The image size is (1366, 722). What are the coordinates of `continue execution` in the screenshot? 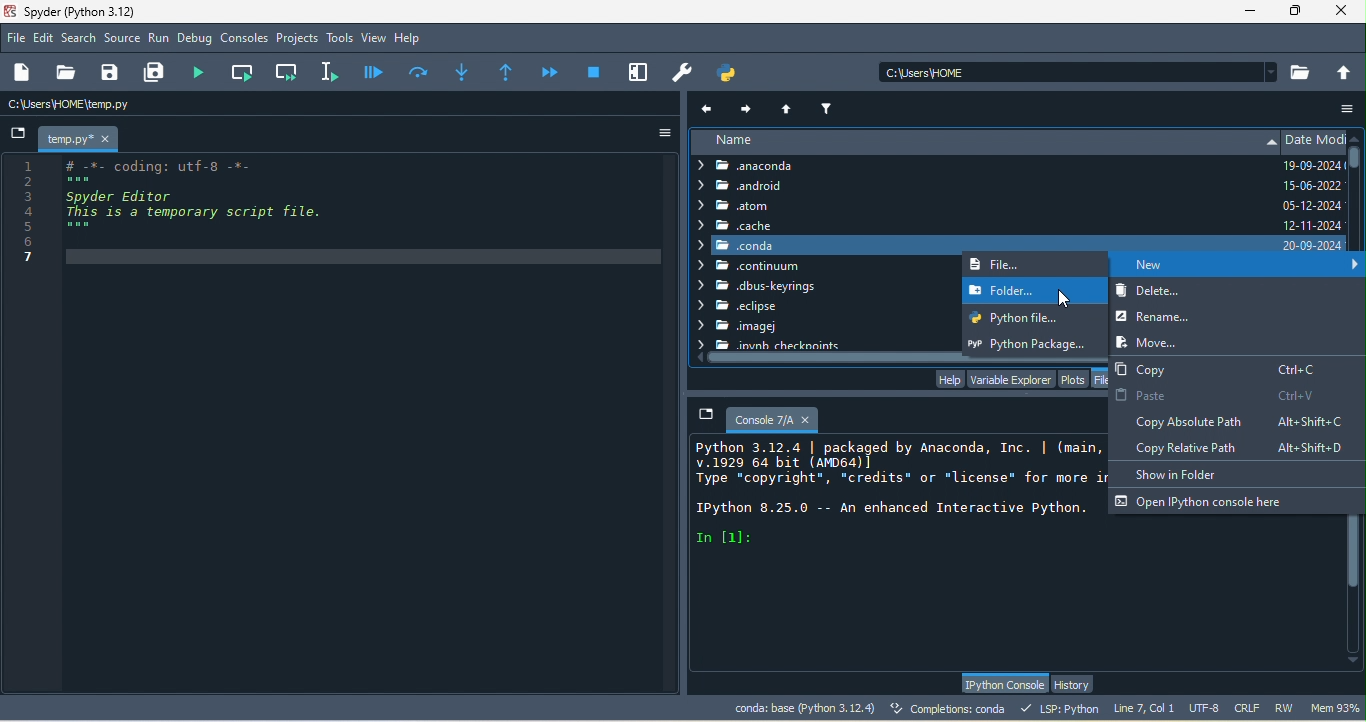 It's located at (552, 72).